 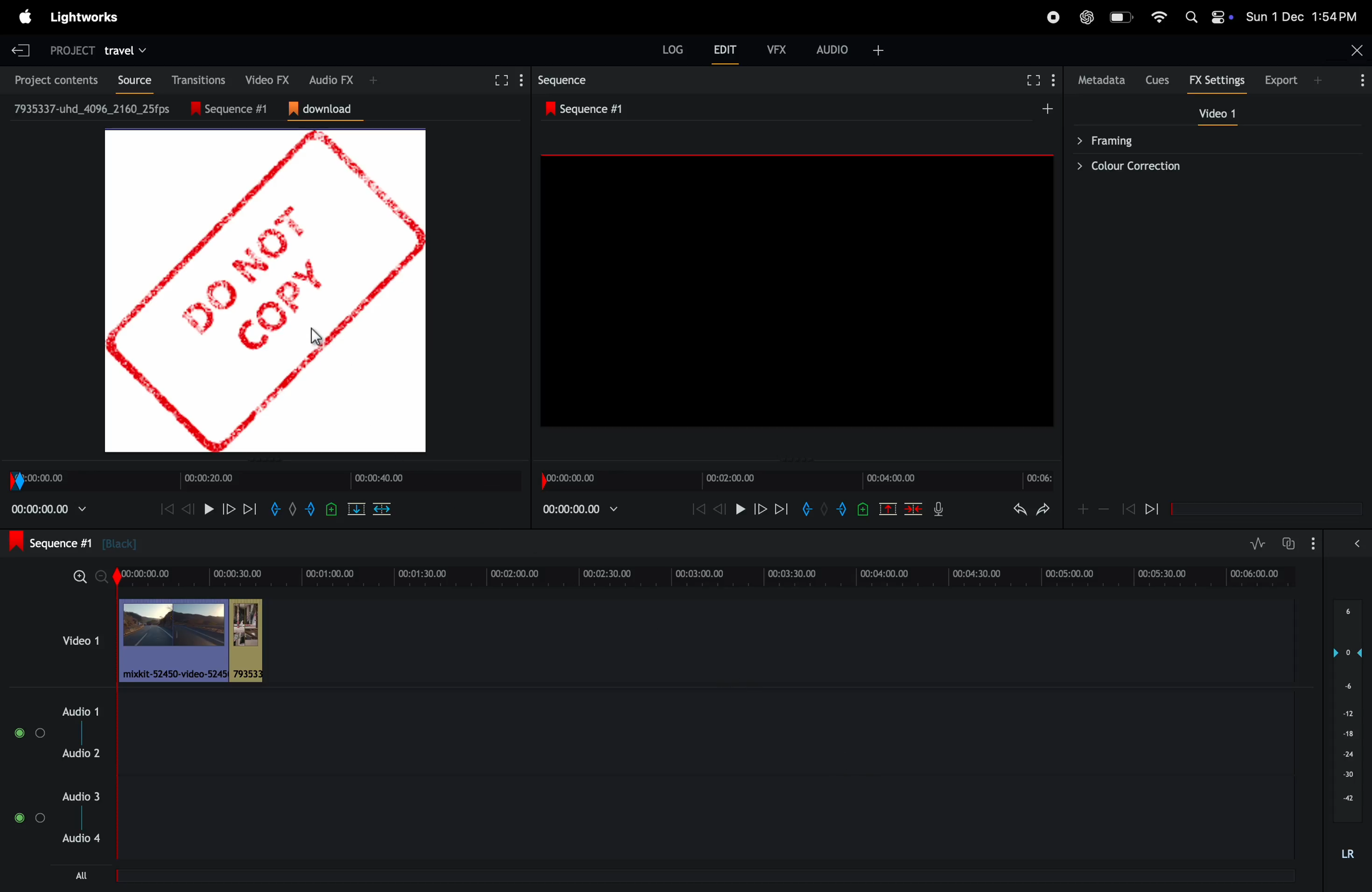 I want to click on video details, so click(x=93, y=108).